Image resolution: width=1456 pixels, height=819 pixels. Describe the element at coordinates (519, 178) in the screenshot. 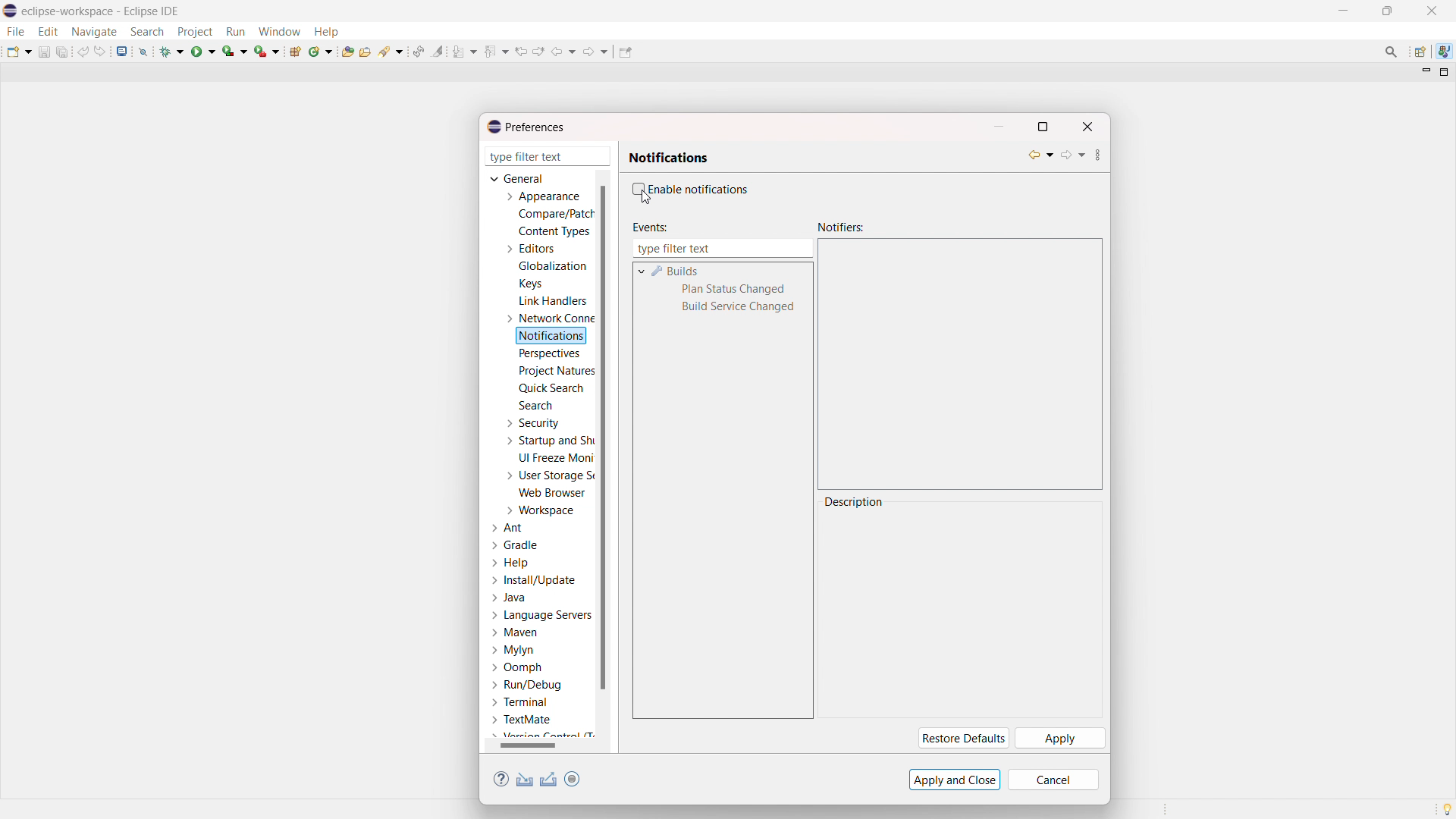

I see `general` at that location.